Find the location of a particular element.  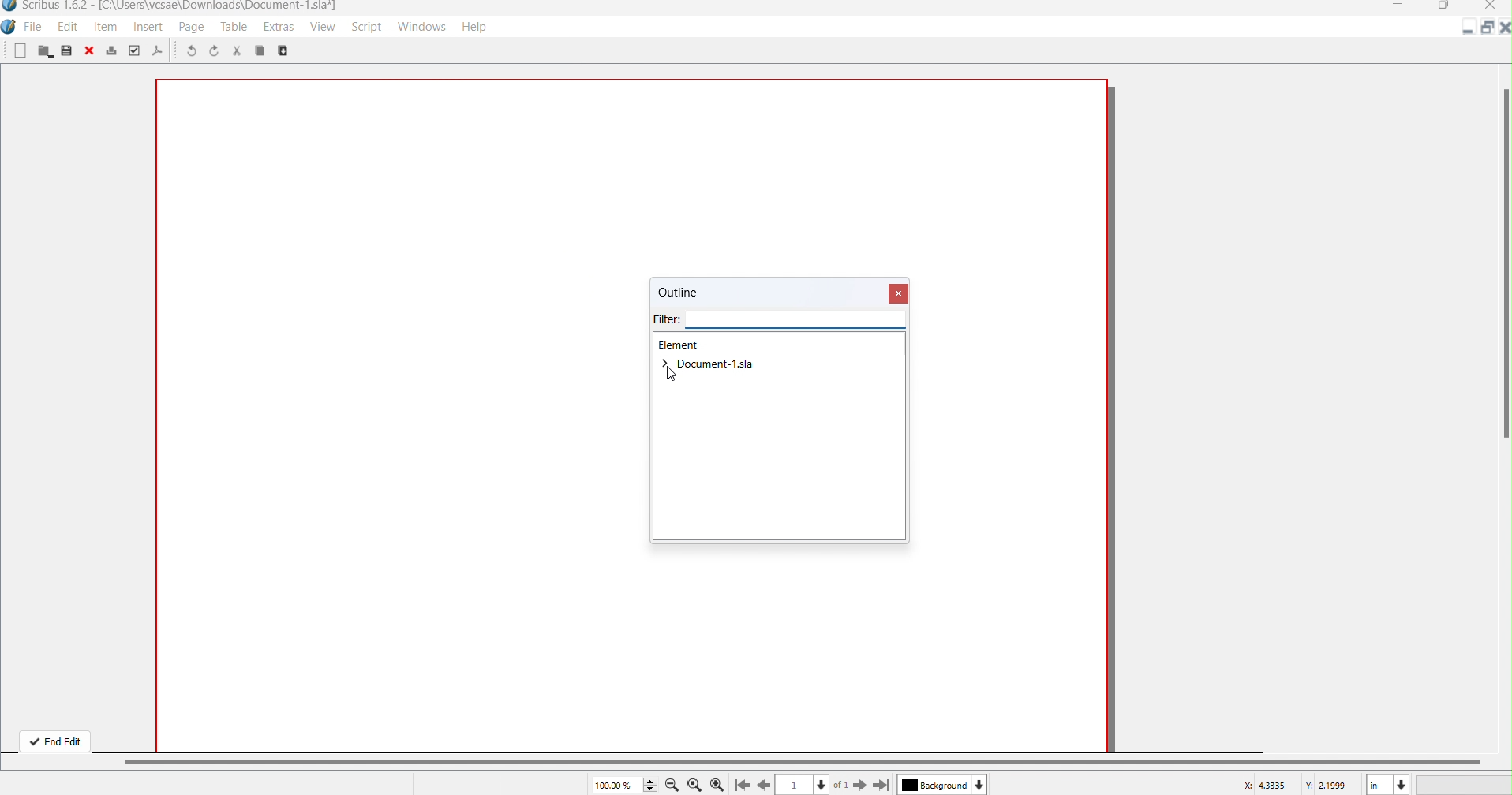

 is located at coordinates (283, 28).